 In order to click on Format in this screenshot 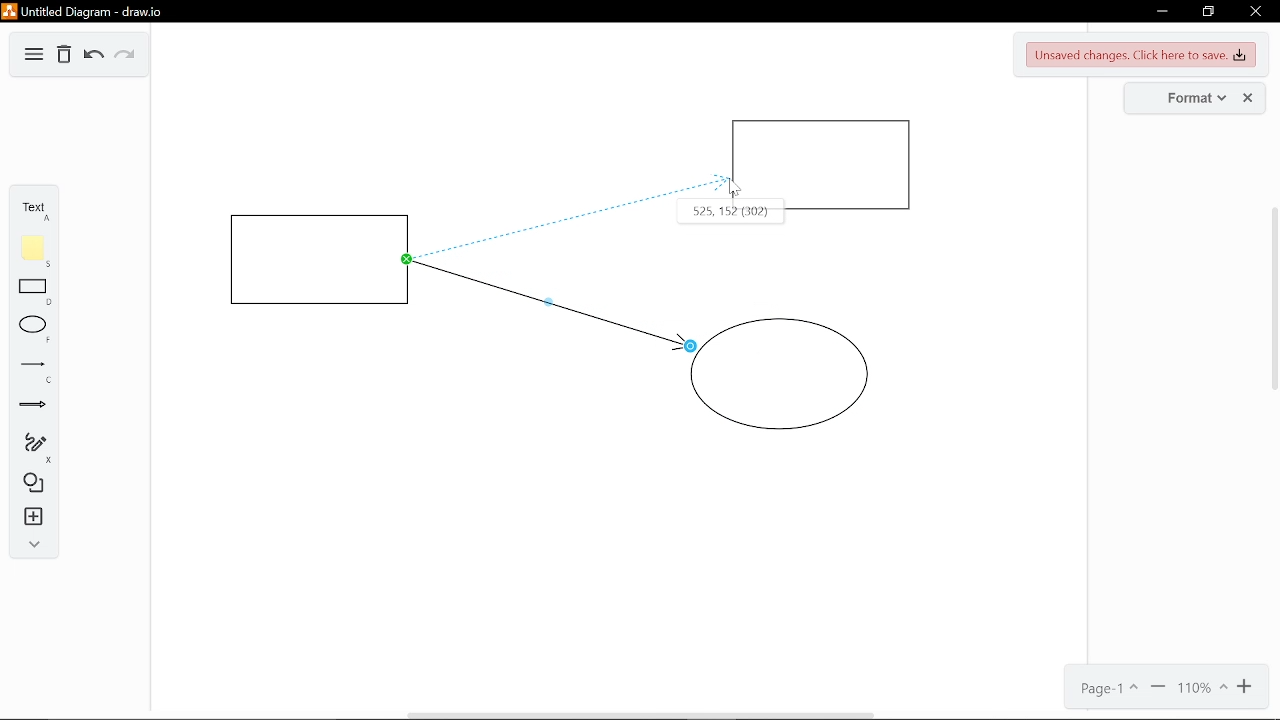, I will do `click(1178, 97)`.